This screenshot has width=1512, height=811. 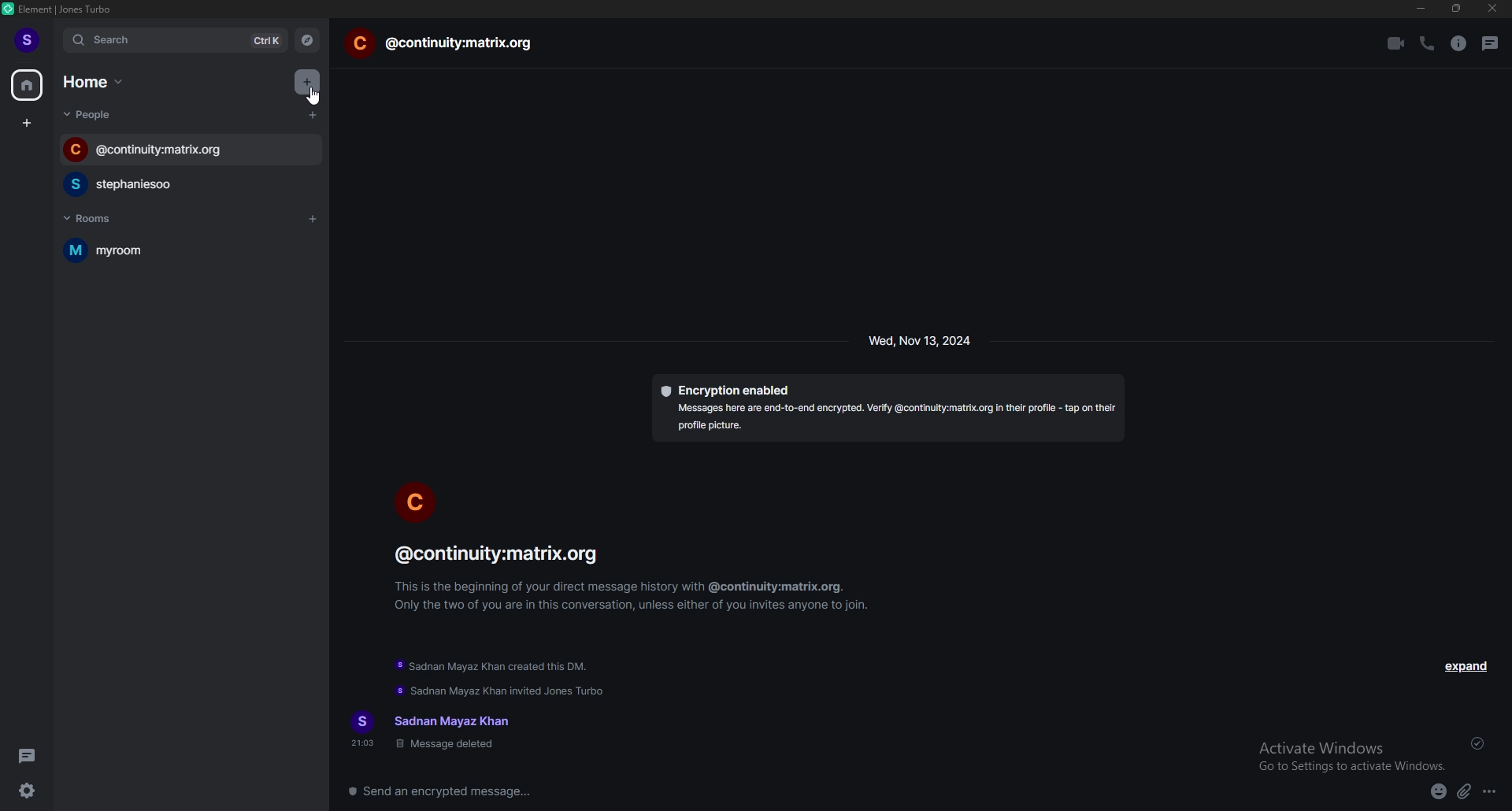 I want to click on threads, so click(x=28, y=756).